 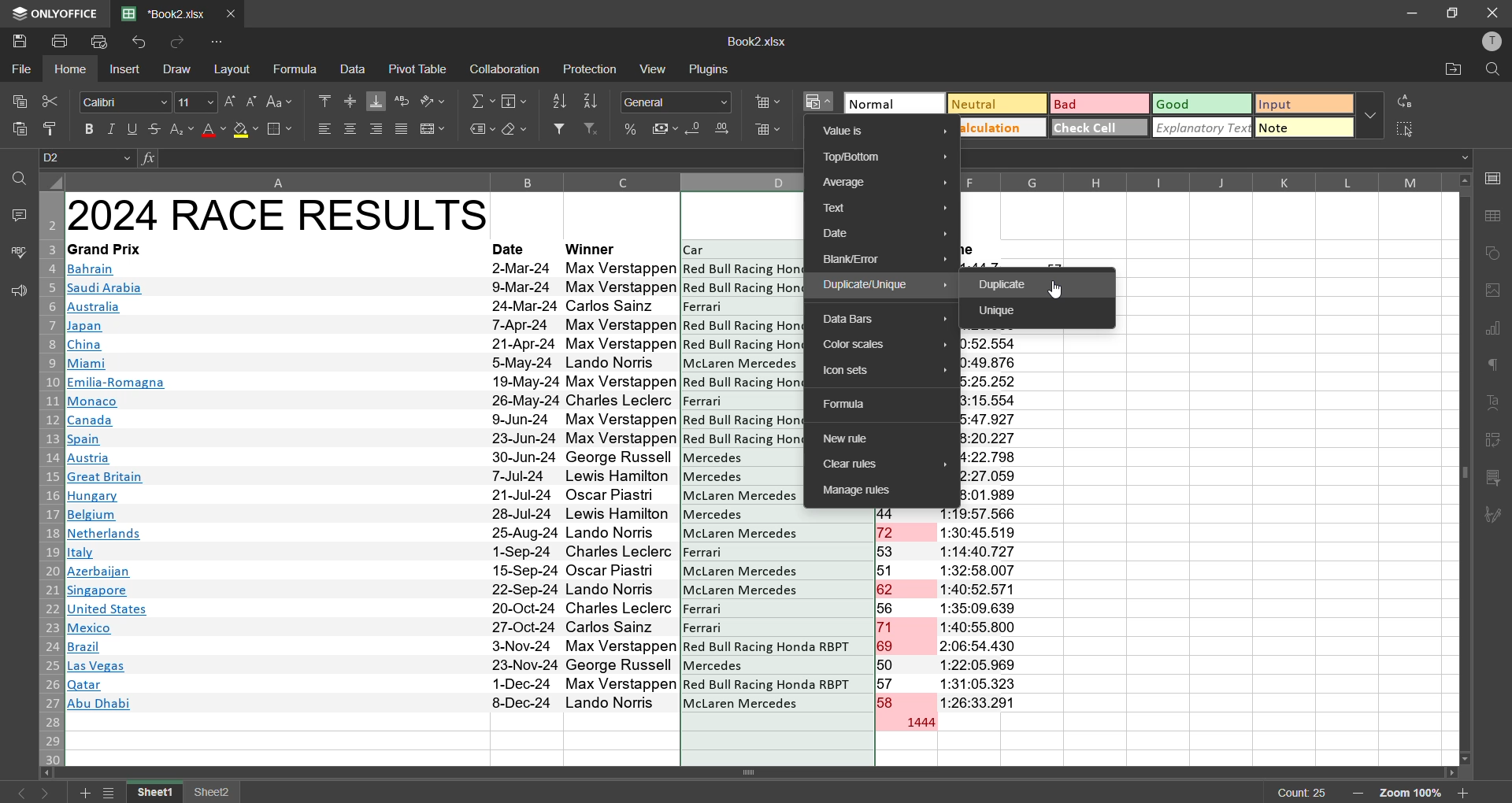 What do you see at coordinates (622, 487) in the screenshot?
I see `Racer’s name` at bounding box center [622, 487].